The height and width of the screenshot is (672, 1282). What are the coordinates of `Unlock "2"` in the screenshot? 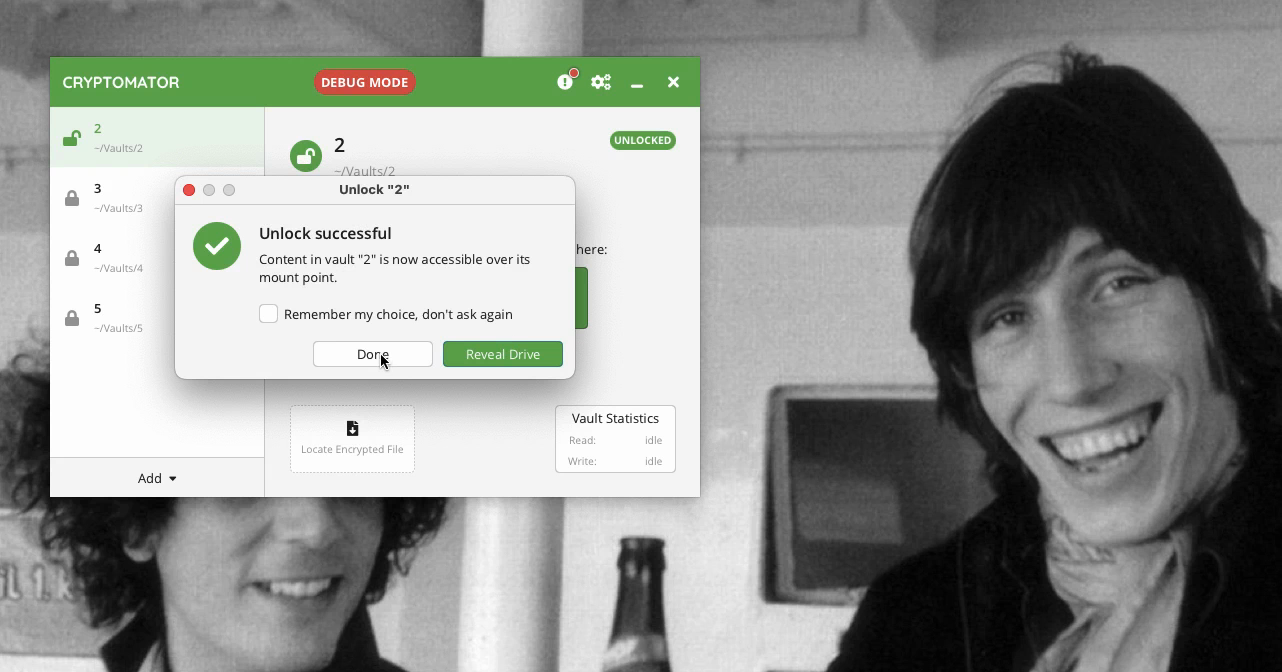 It's located at (378, 189).